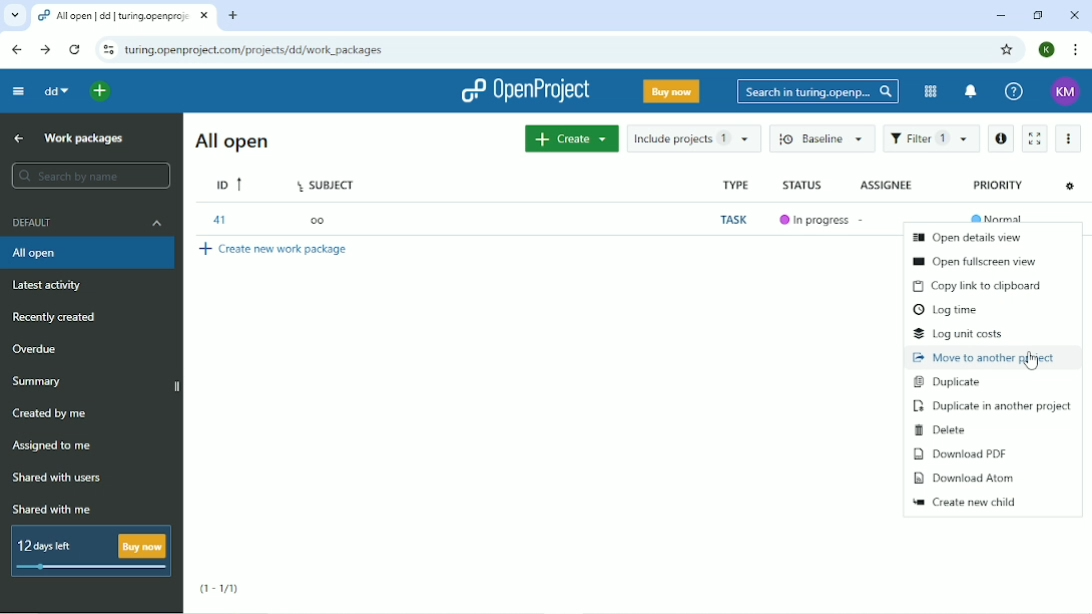 The height and width of the screenshot is (614, 1092). Describe the element at coordinates (968, 236) in the screenshot. I see `Open details view` at that location.